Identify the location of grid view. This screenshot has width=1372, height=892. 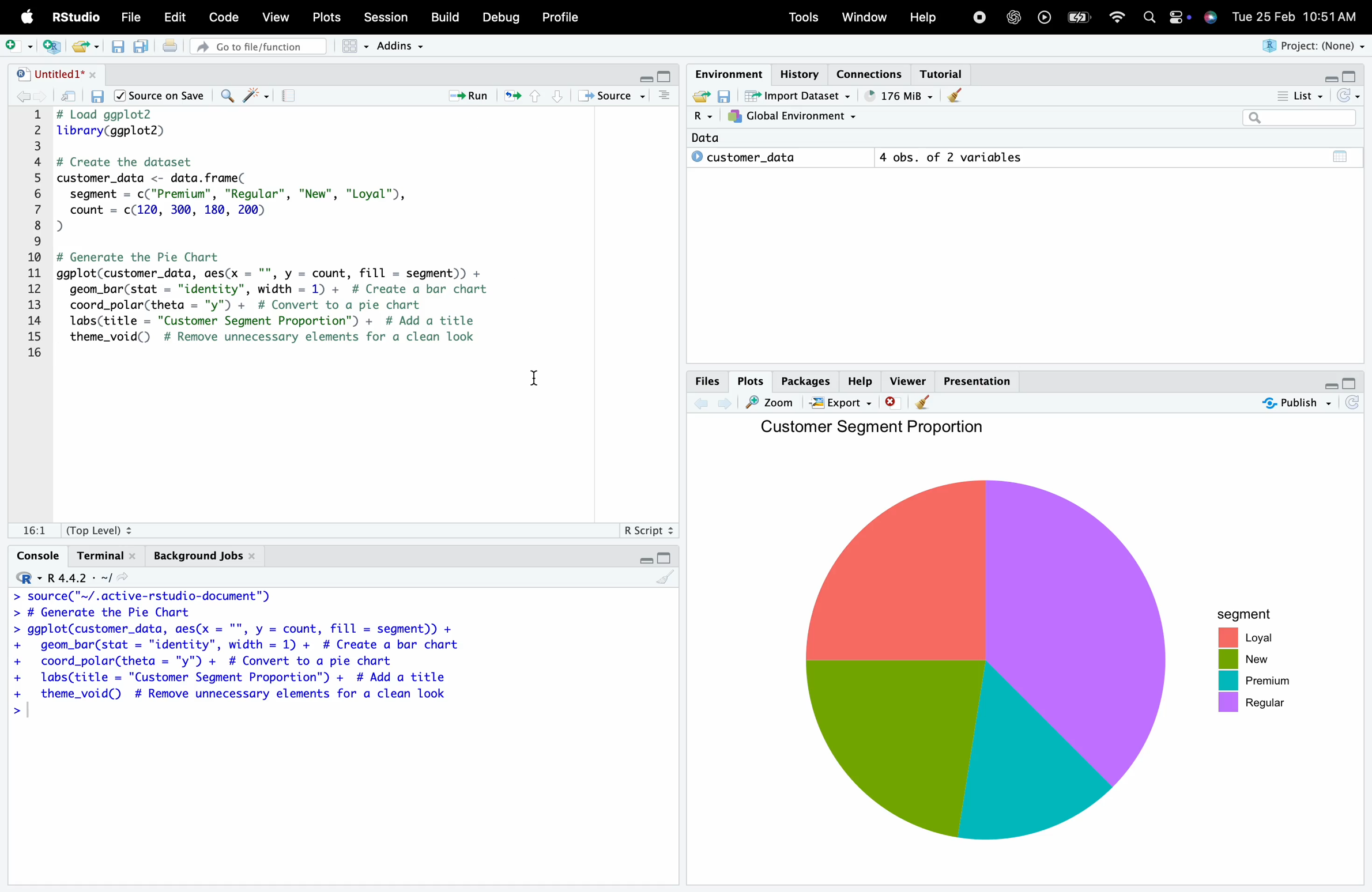
(350, 48).